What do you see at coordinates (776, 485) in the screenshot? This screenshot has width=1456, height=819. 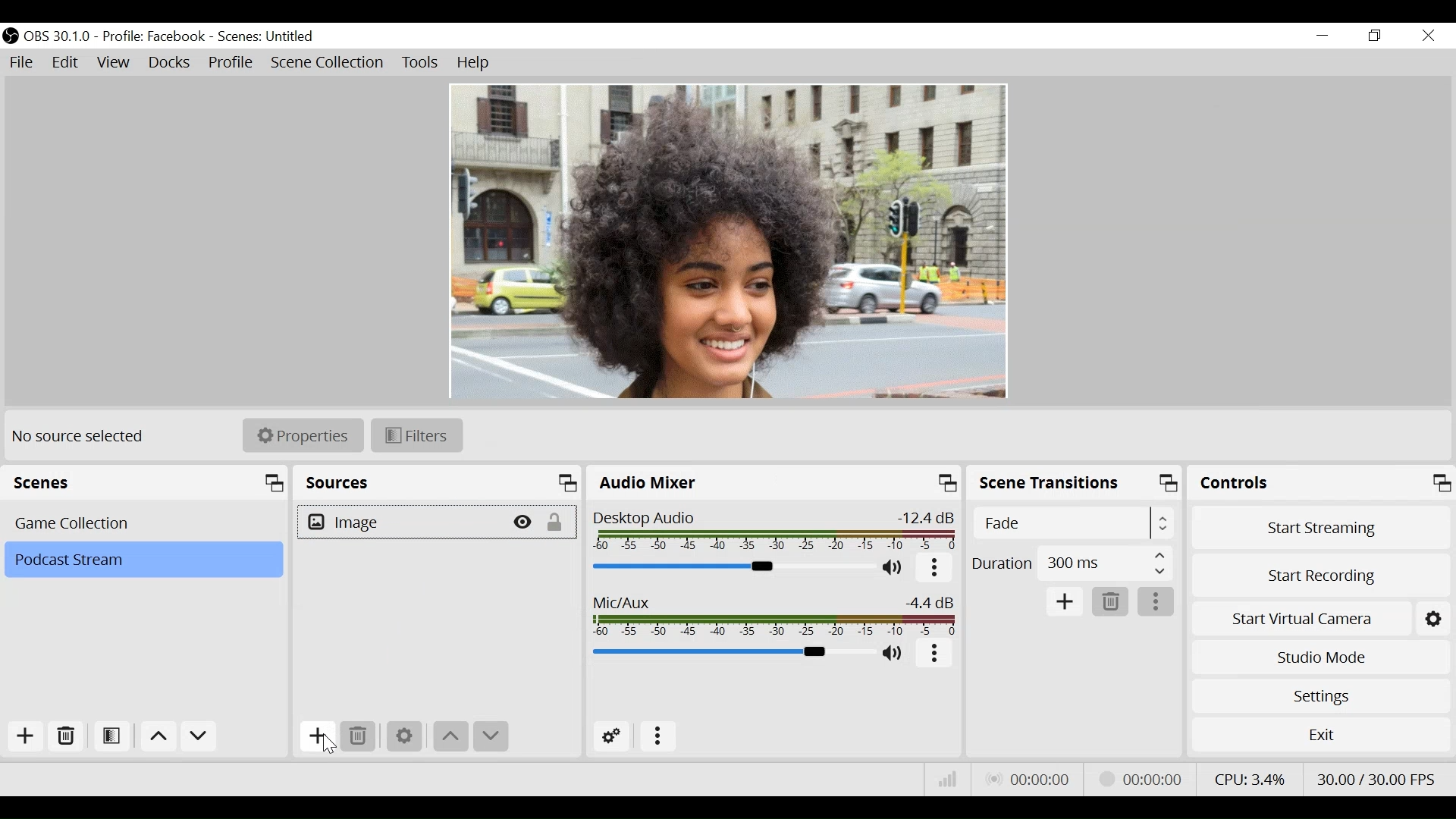 I see `Audio Mixer` at bounding box center [776, 485].